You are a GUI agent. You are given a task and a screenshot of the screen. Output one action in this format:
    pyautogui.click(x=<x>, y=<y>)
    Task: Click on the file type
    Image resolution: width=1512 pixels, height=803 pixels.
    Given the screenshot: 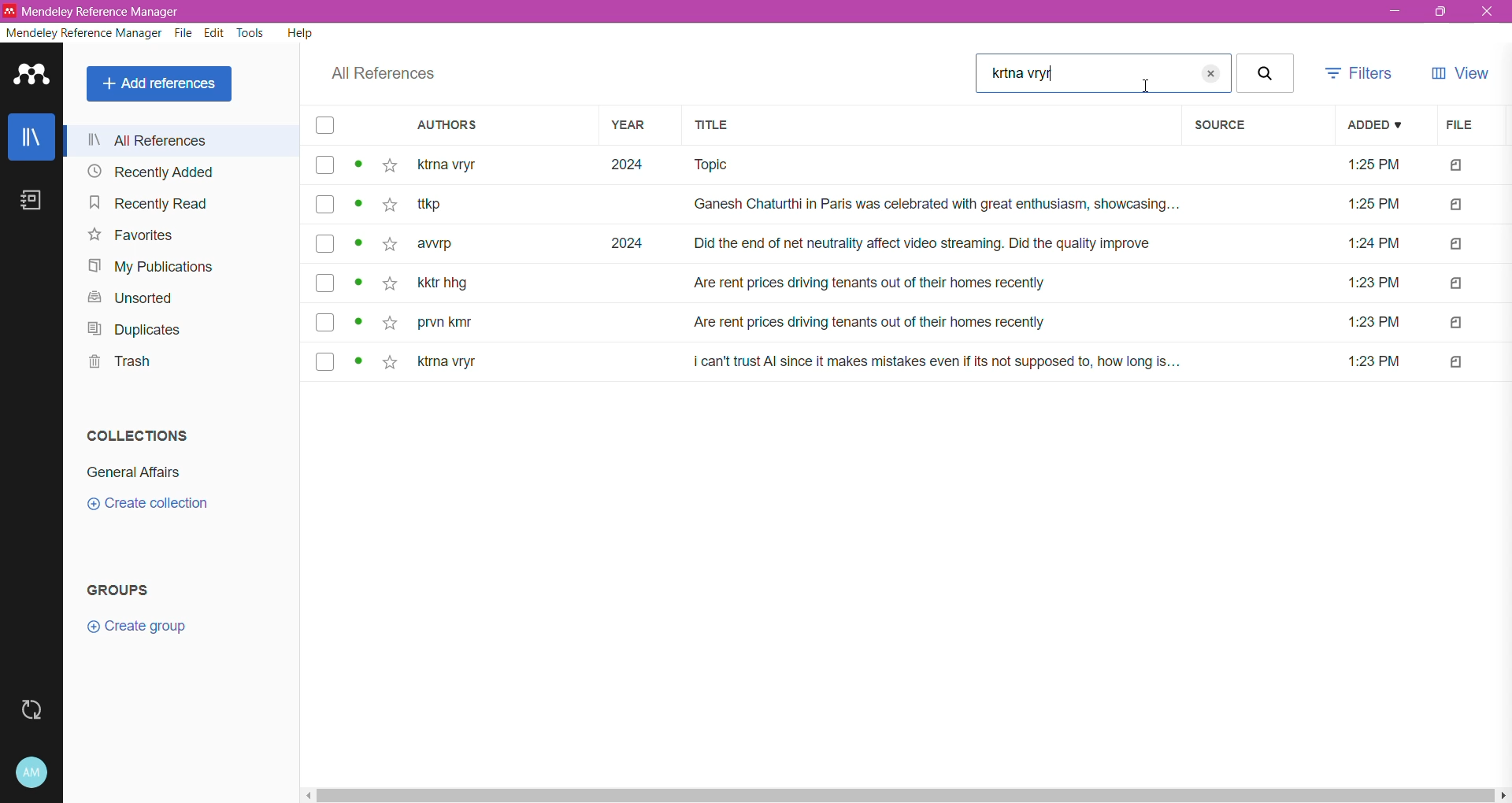 What is the action you would take?
    pyautogui.click(x=1458, y=167)
    